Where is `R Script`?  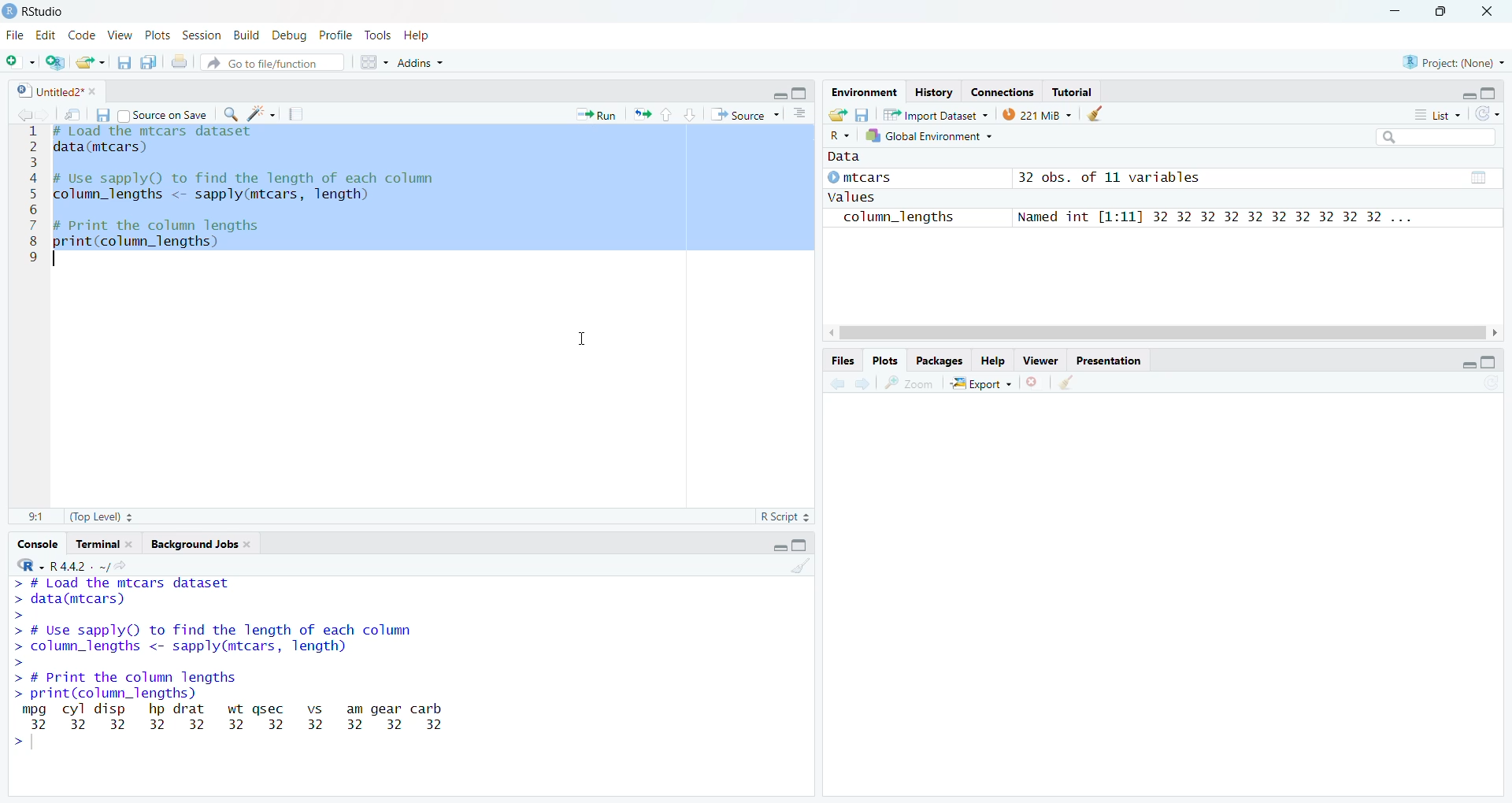 R Script is located at coordinates (786, 516).